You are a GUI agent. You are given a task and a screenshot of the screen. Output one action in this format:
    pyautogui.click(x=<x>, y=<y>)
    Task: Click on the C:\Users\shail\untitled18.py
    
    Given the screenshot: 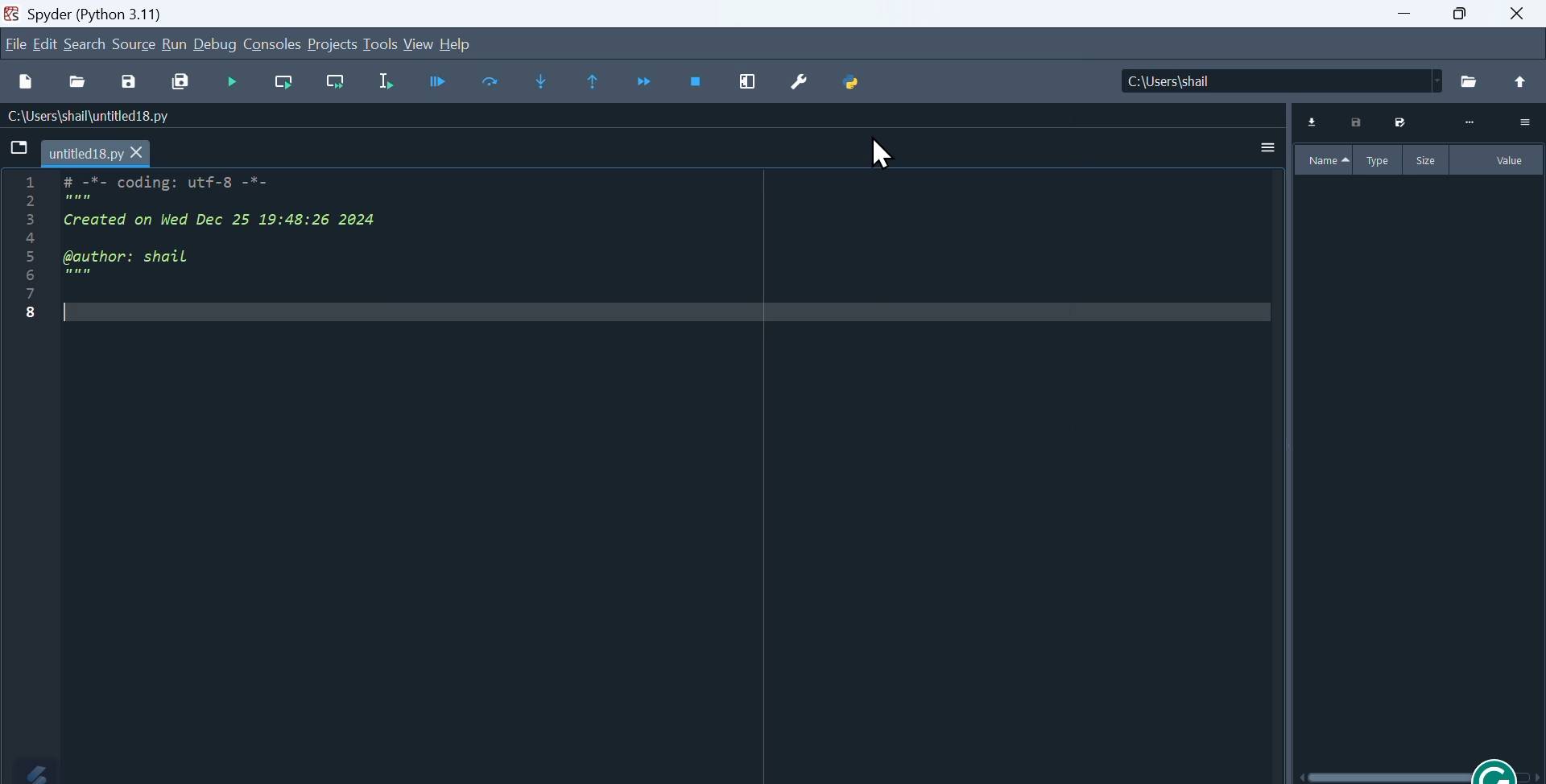 What is the action you would take?
    pyautogui.click(x=91, y=117)
    